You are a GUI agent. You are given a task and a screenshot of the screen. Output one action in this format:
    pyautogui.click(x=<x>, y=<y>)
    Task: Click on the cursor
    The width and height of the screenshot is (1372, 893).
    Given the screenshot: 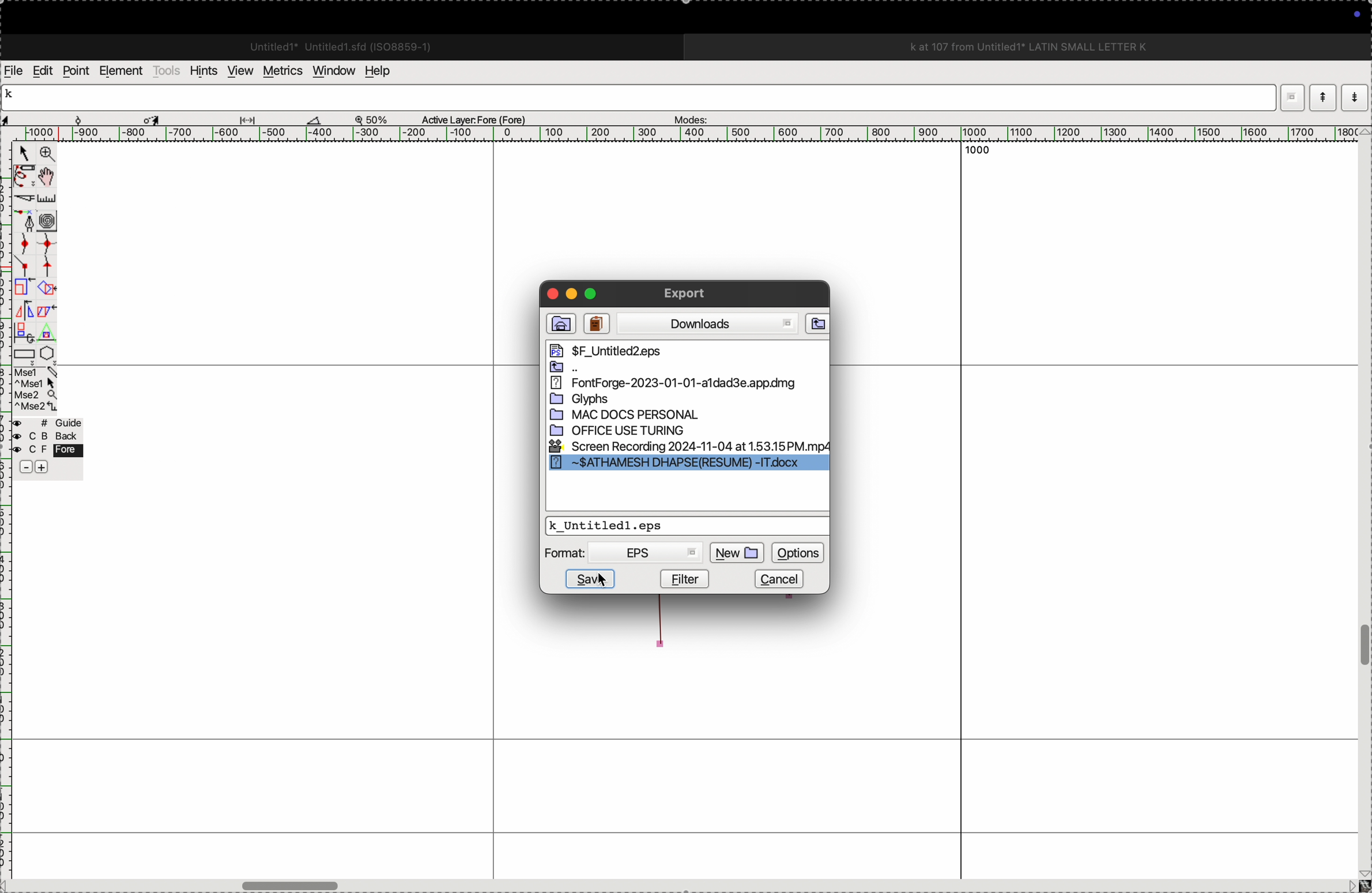 What is the action you would take?
    pyautogui.click(x=604, y=582)
    